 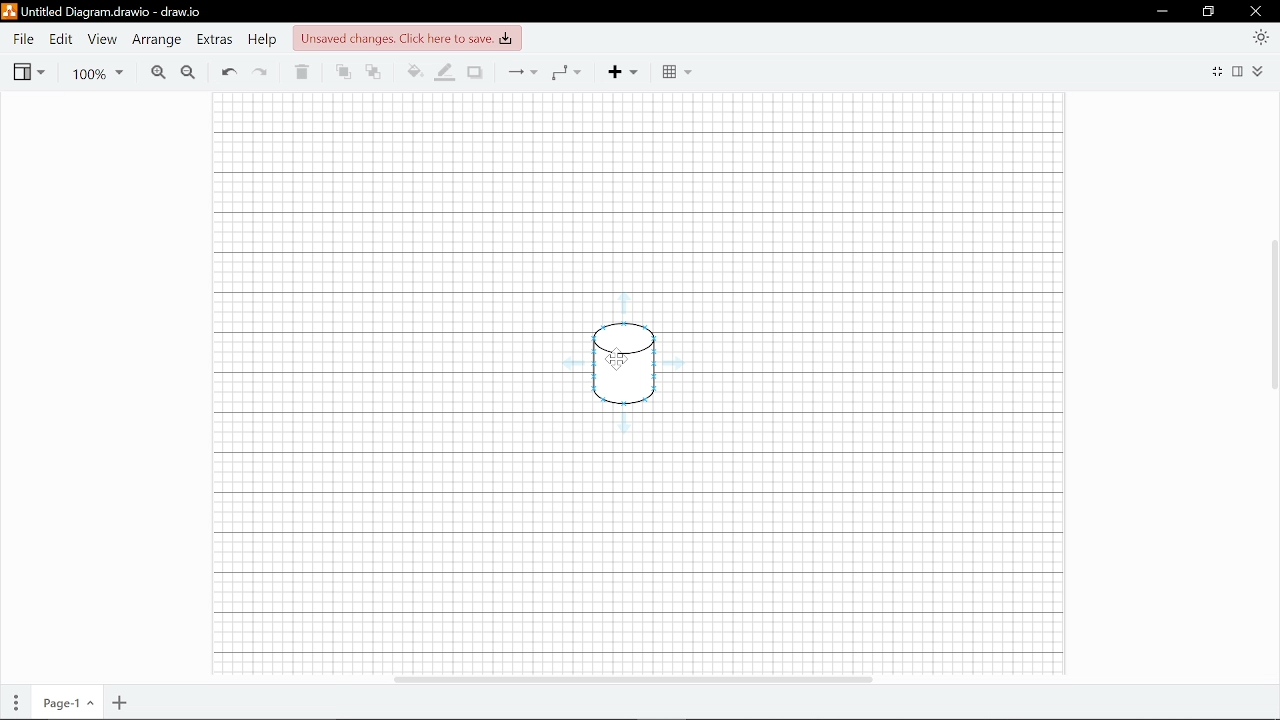 I want to click on Minimize, so click(x=1163, y=11).